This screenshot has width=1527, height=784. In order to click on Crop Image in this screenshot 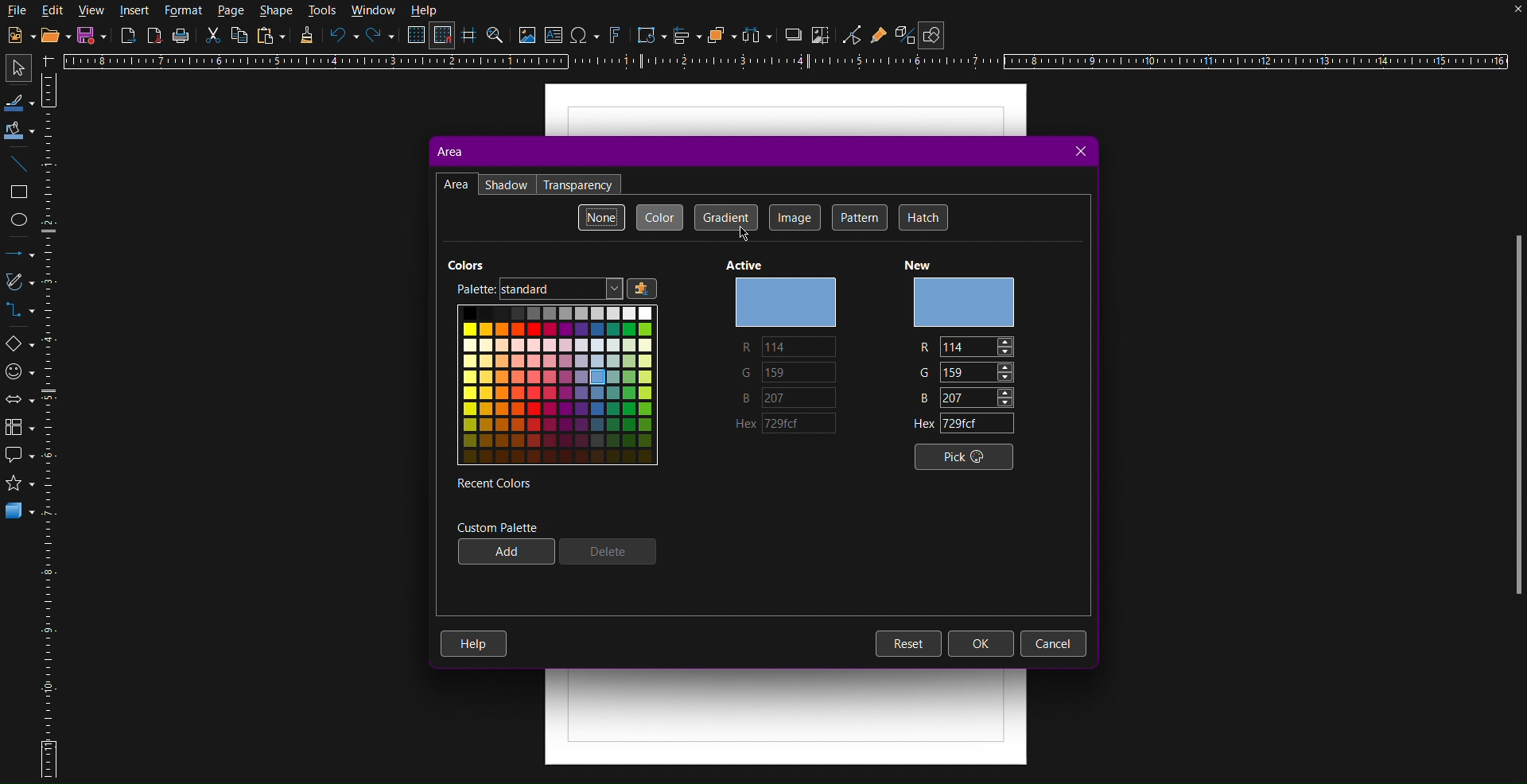, I will do `click(822, 37)`.